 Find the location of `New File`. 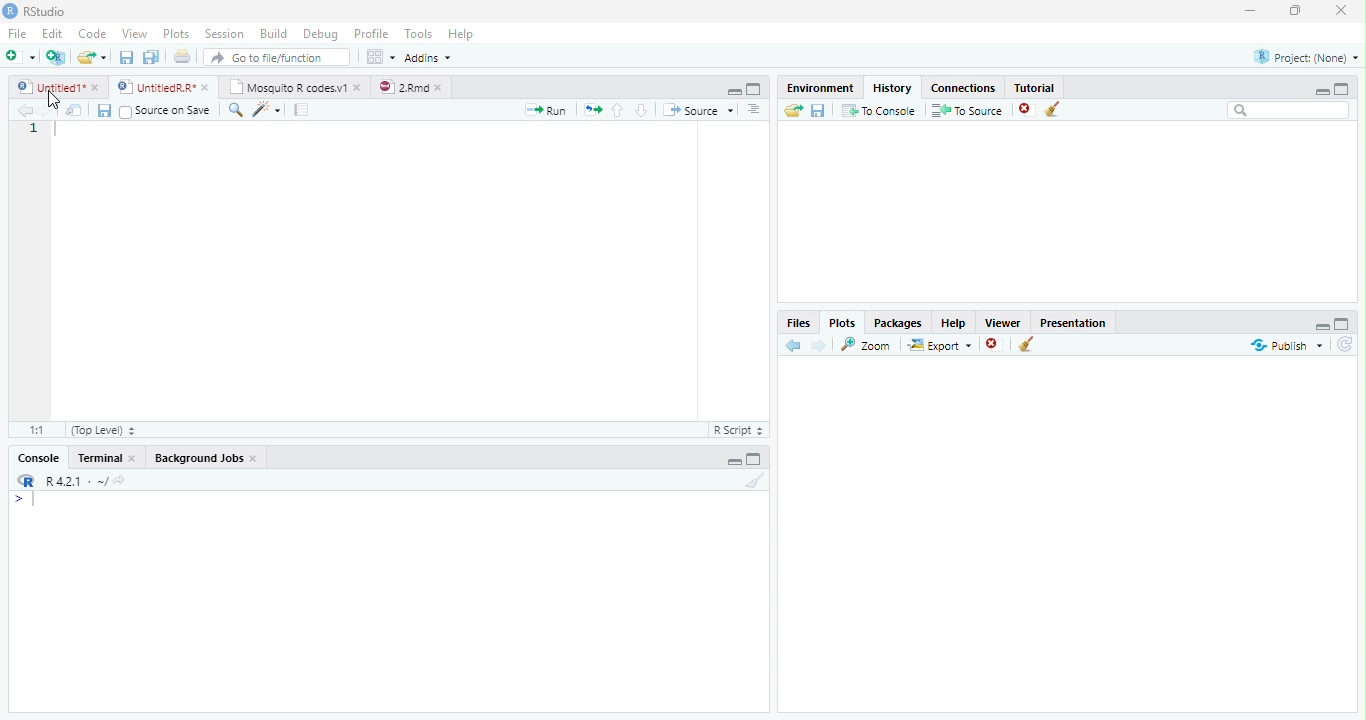

New File is located at coordinates (20, 56).